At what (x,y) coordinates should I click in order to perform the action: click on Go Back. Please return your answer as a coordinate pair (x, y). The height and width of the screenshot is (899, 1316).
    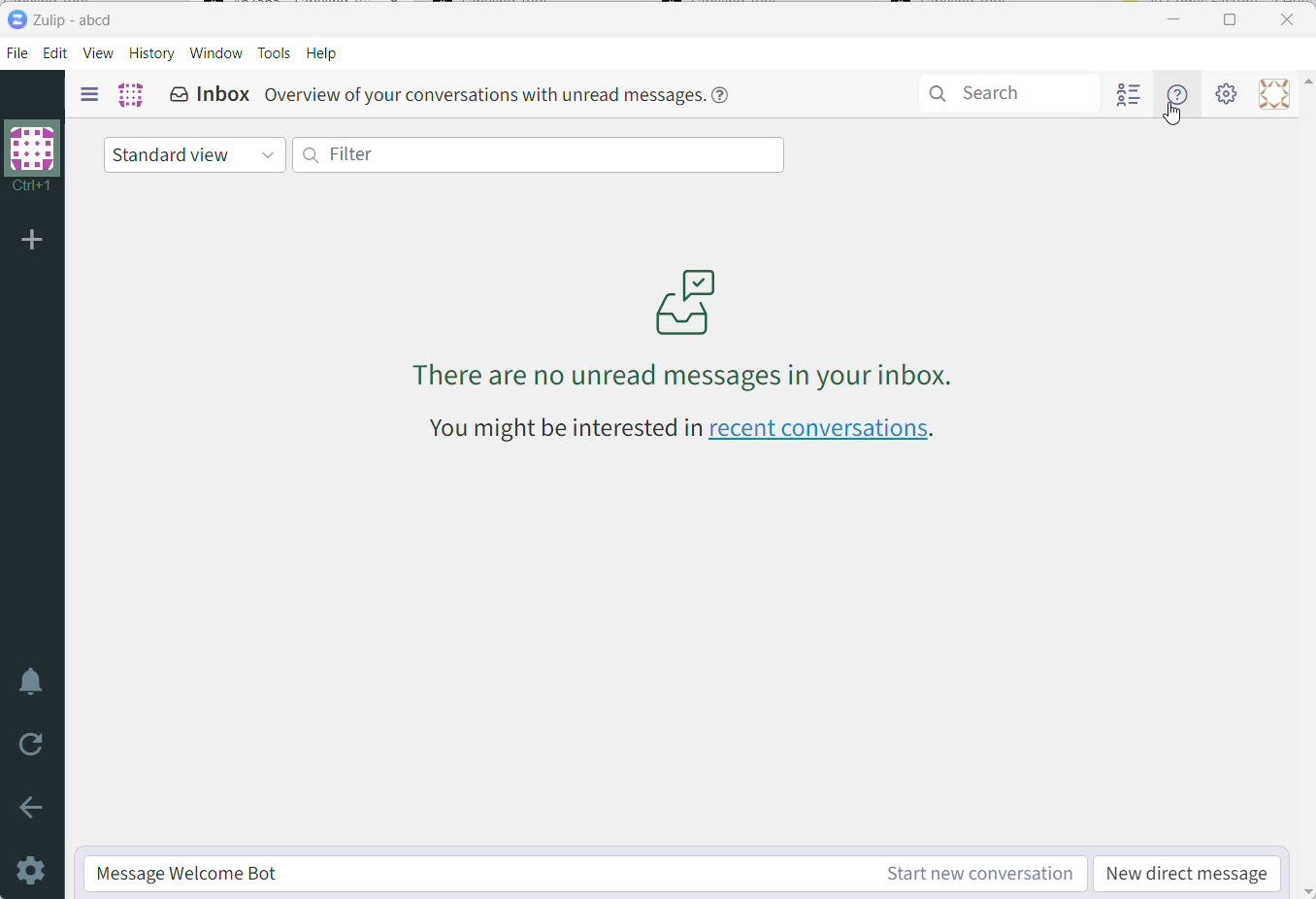
    Looking at the image, I should click on (33, 809).